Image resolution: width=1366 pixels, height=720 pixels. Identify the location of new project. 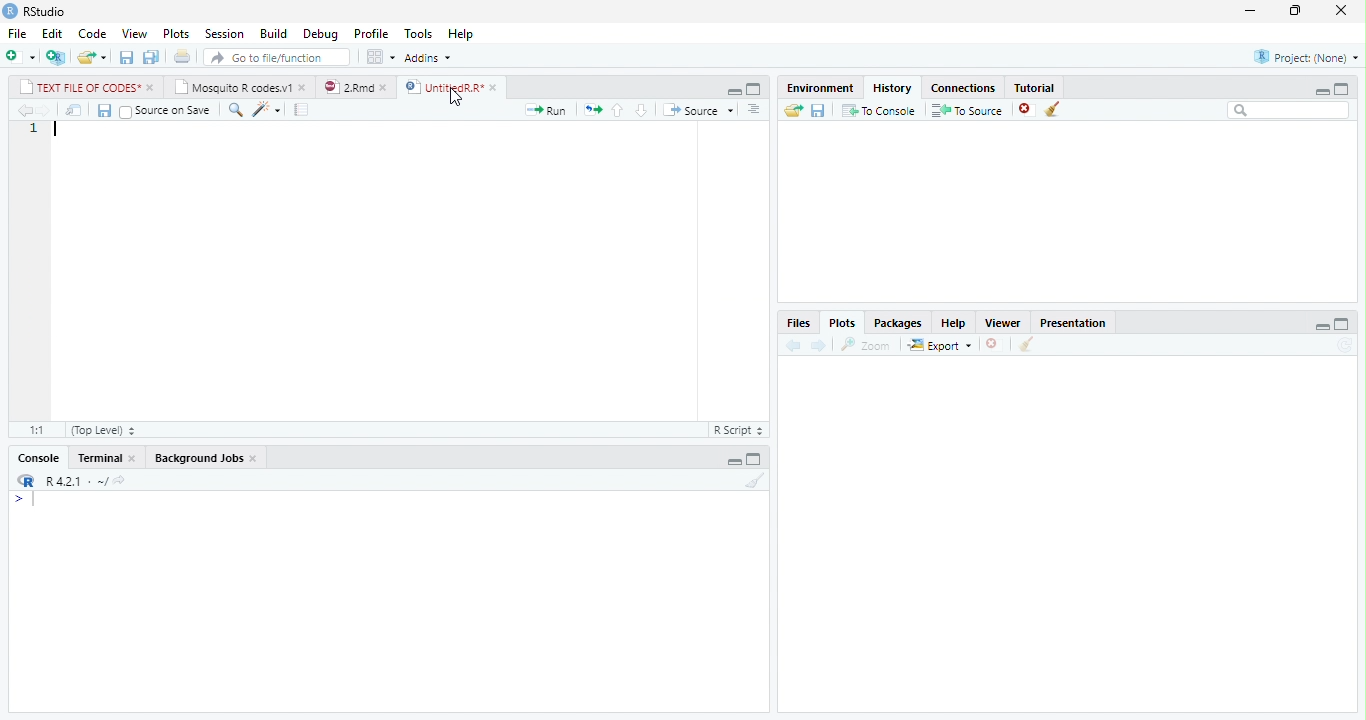
(57, 57).